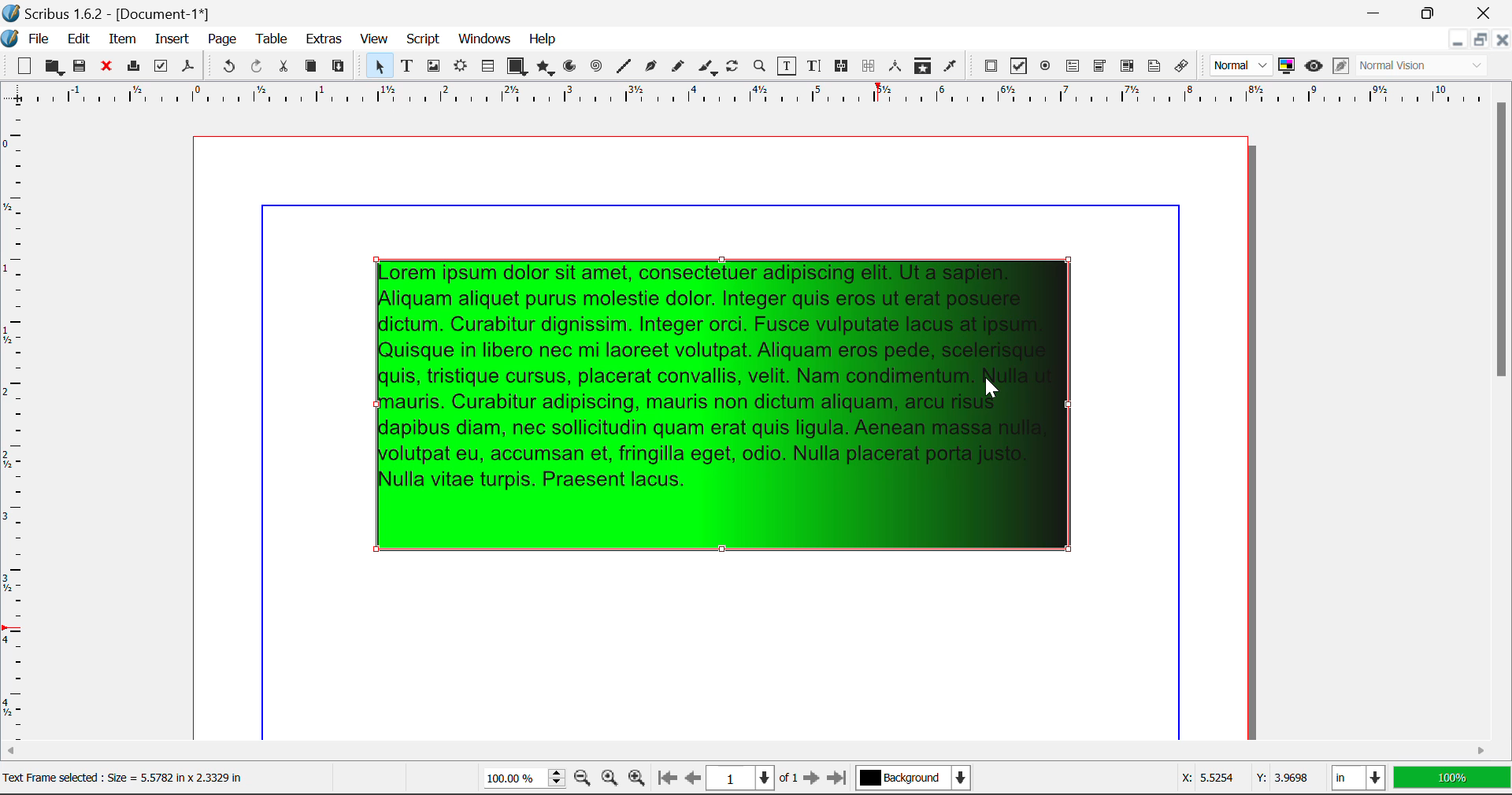 The image size is (1512, 795). I want to click on Calligraphic Line, so click(709, 69).